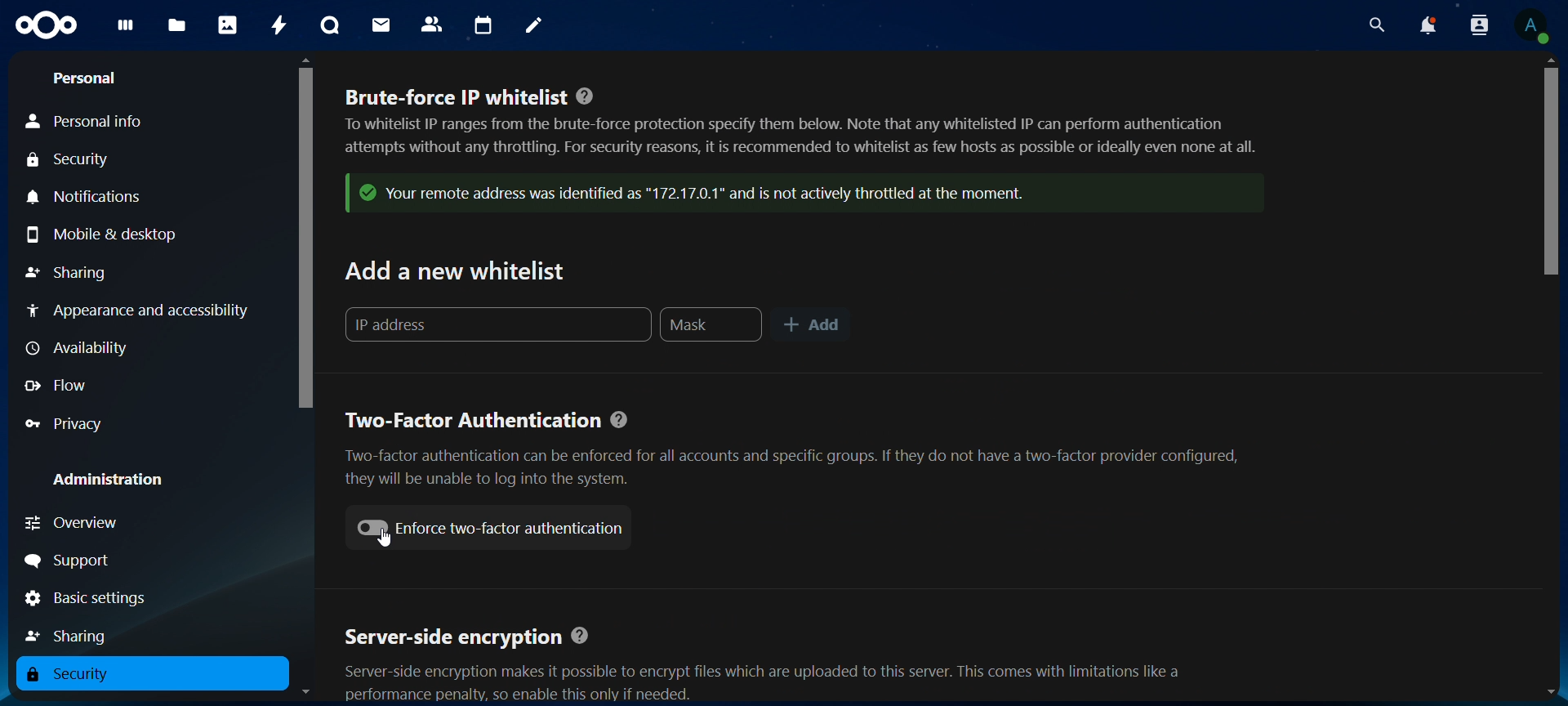  I want to click on notifications, so click(1430, 27).